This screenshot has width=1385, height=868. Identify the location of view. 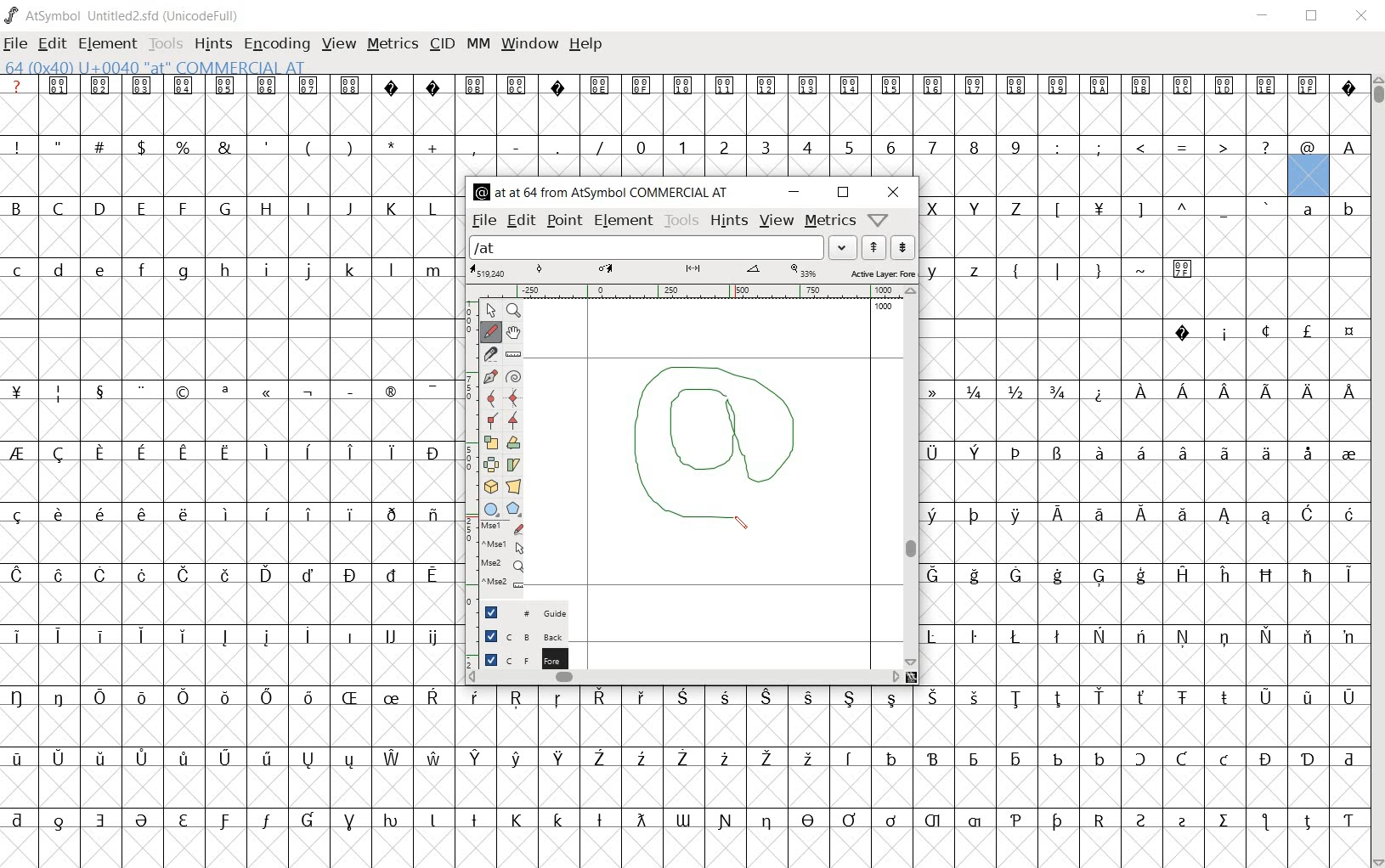
(777, 222).